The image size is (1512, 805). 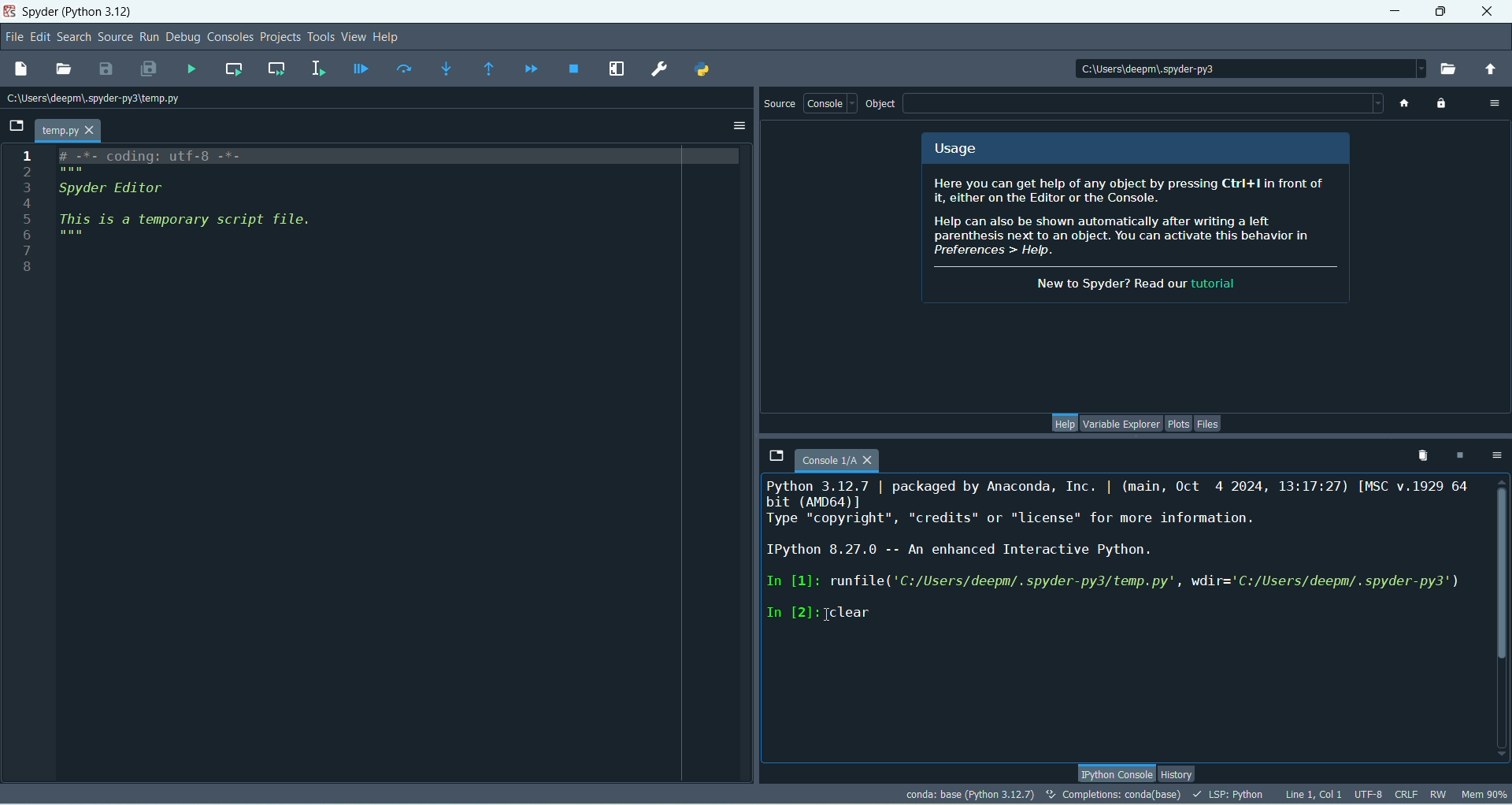 What do you see at coordinates (1115, 771) in the screenshot?
I see `Ipython console` at bounding box center [1115, 771].